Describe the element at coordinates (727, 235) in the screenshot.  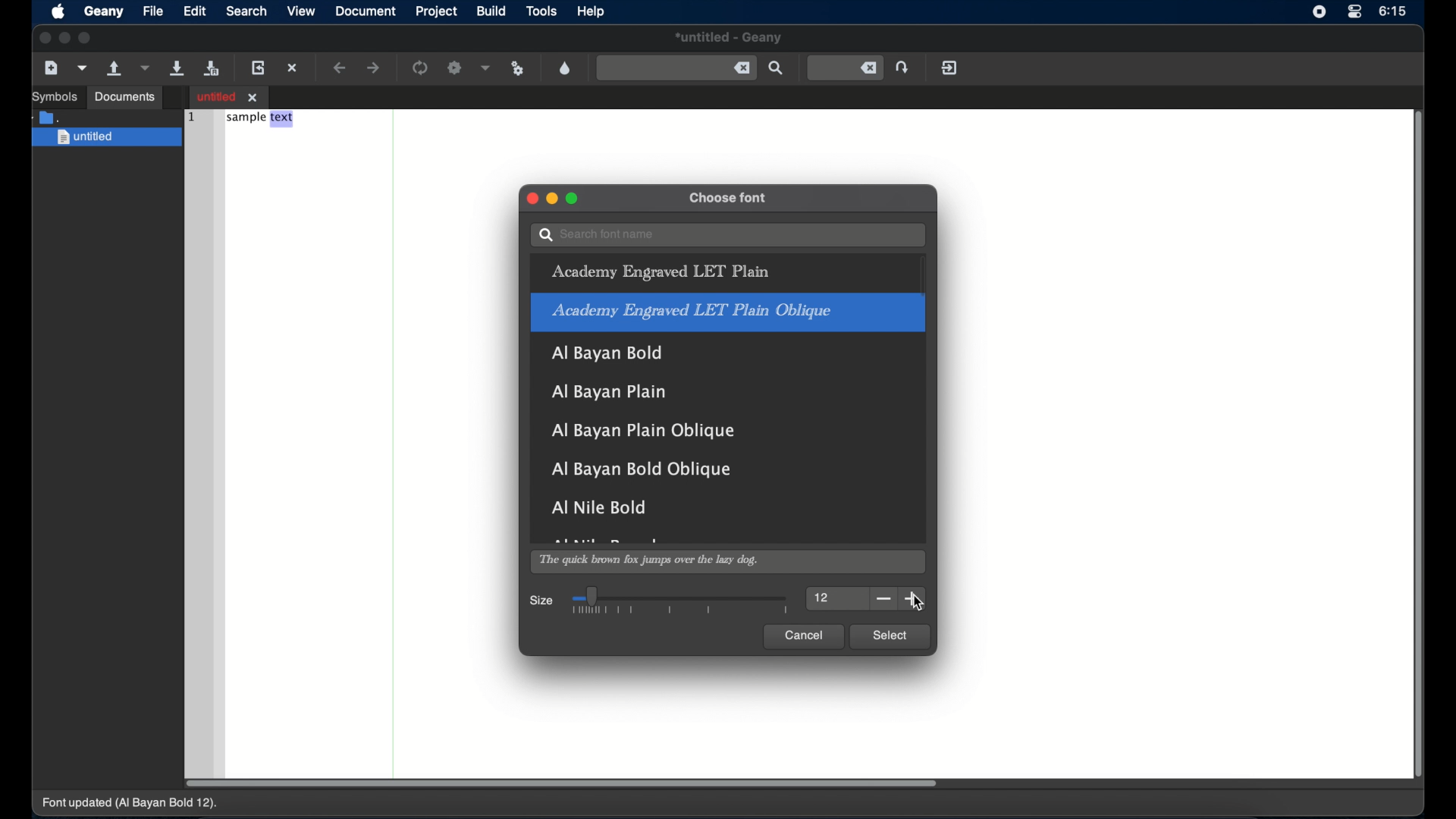
I see `search bar` at that location.